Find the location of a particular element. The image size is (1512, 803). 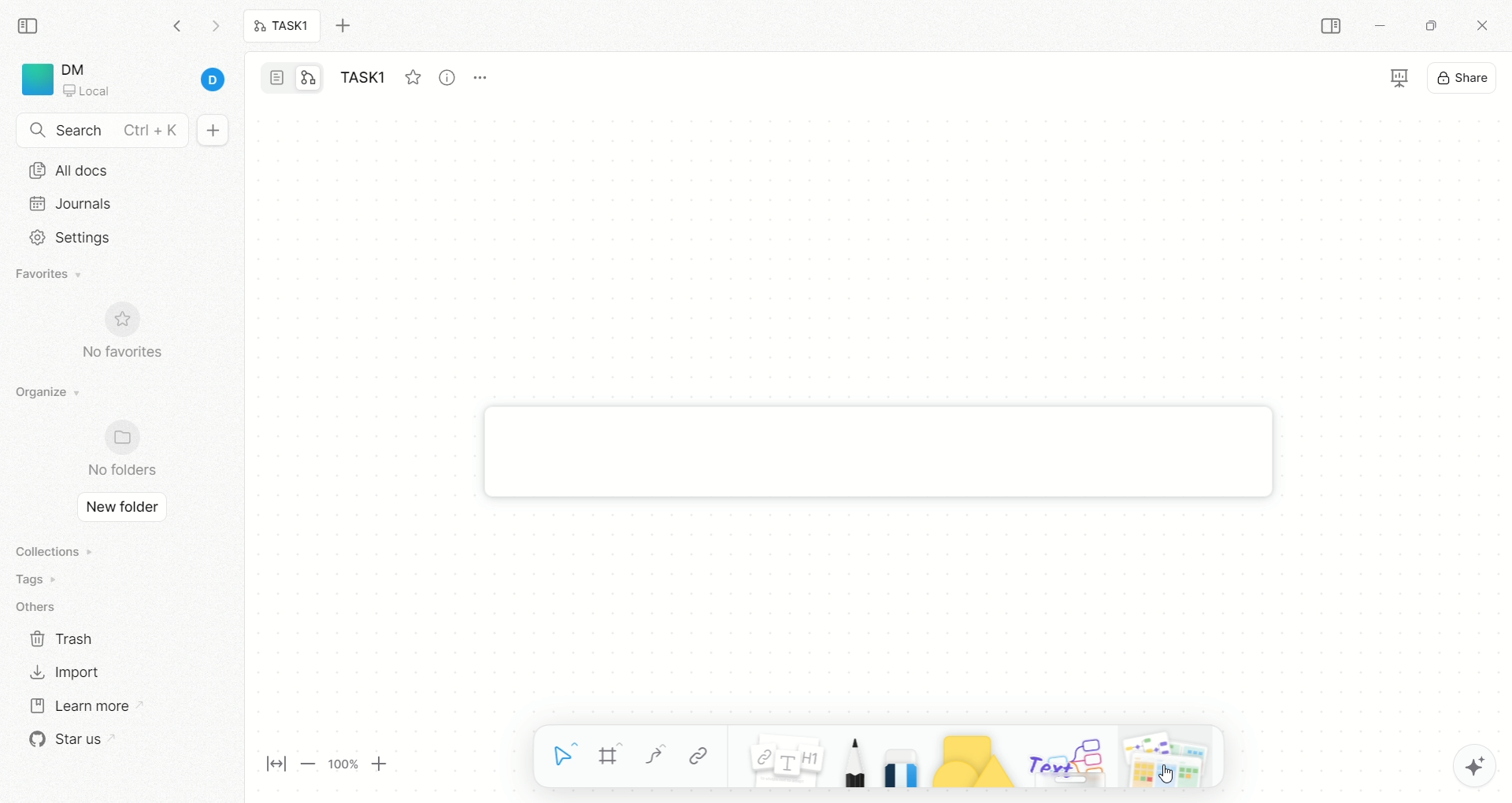

settings is located at coordinates (65, 238).